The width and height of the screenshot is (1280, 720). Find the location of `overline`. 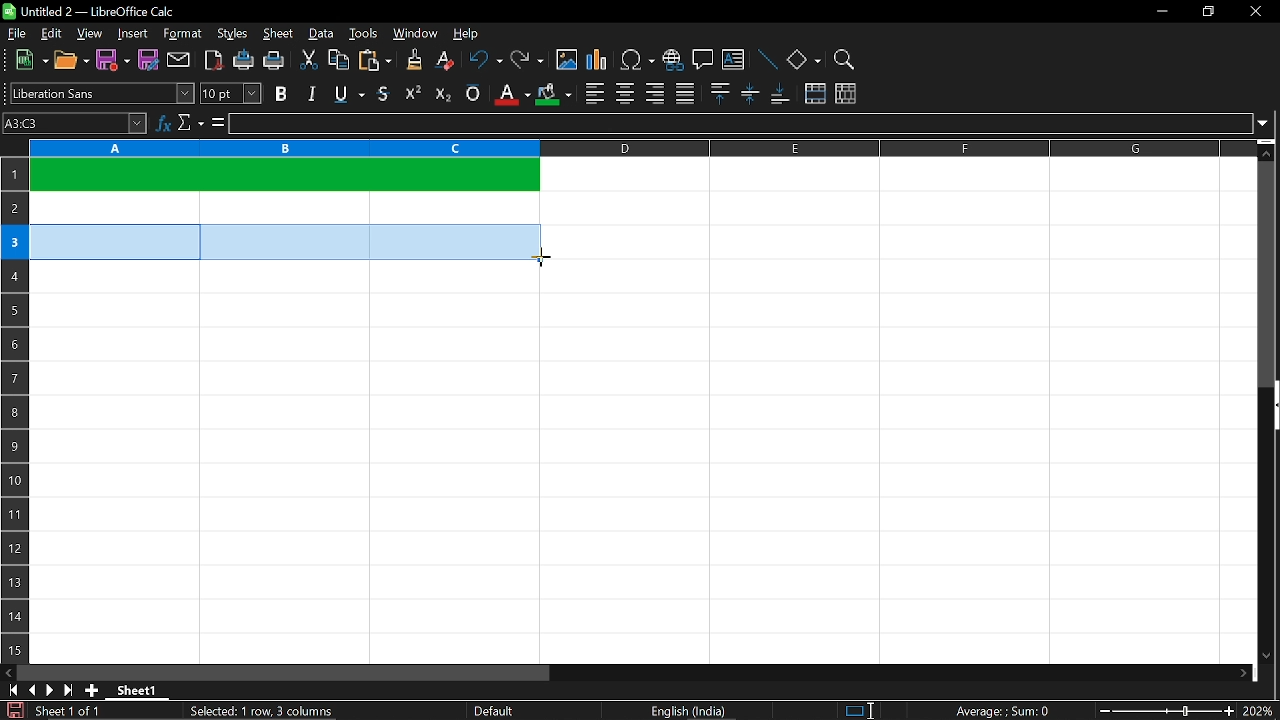

overline is located at coordinates (473, 94).